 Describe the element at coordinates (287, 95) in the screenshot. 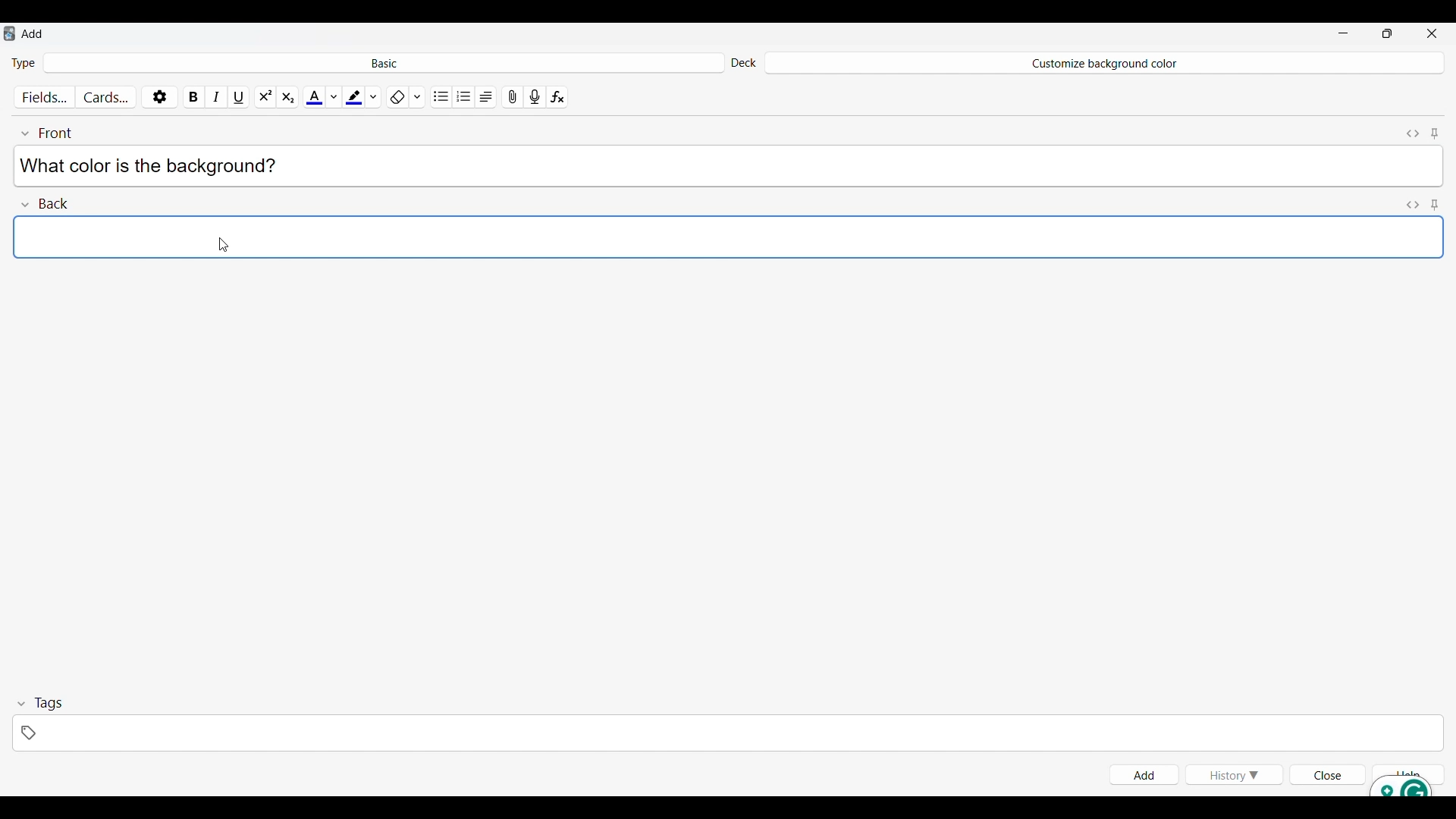

I see `Sub script` at that location.